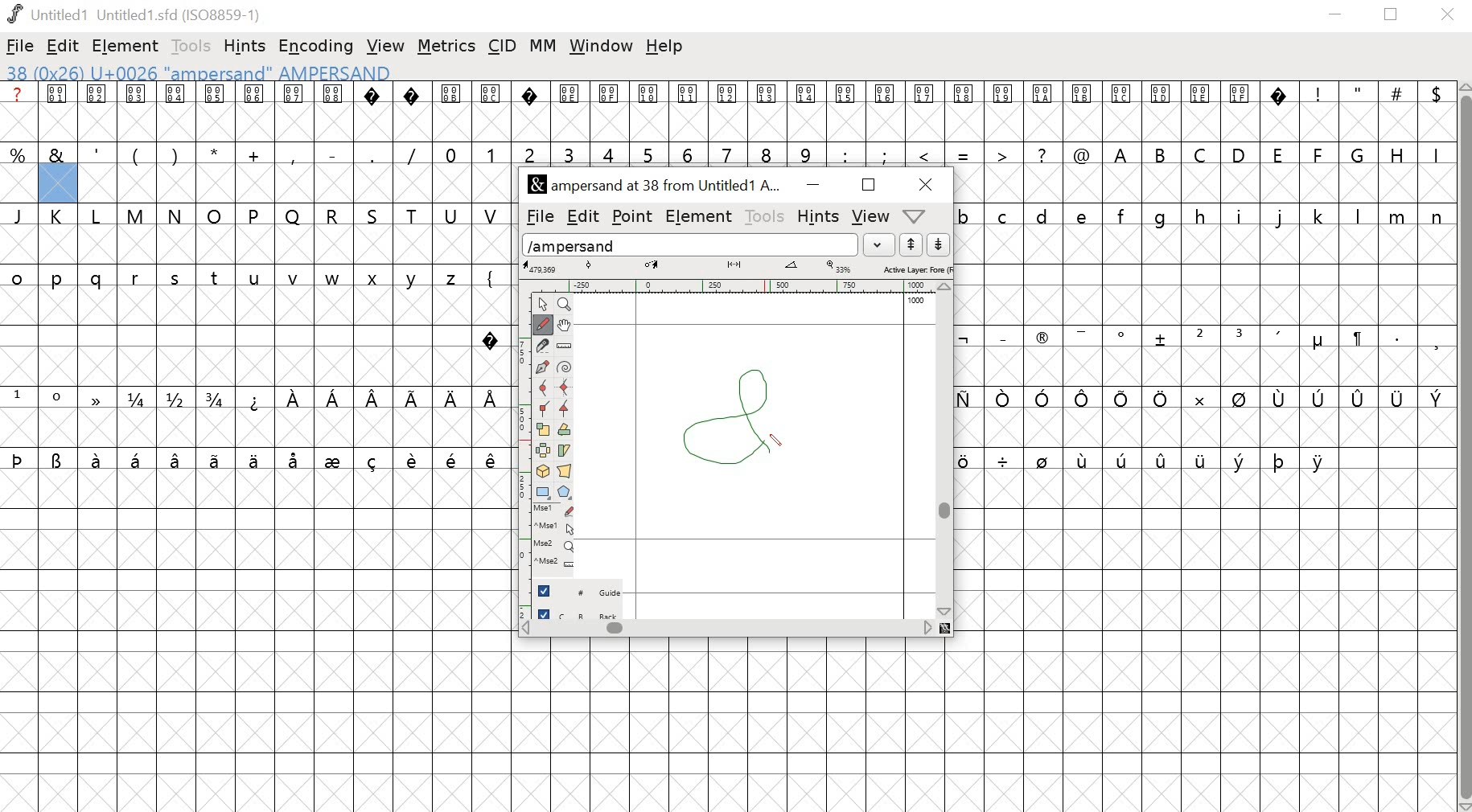  What do you see at coordinates (1281, 218) in the screenshot?
I see `j` at bounding box center [1281, 218].